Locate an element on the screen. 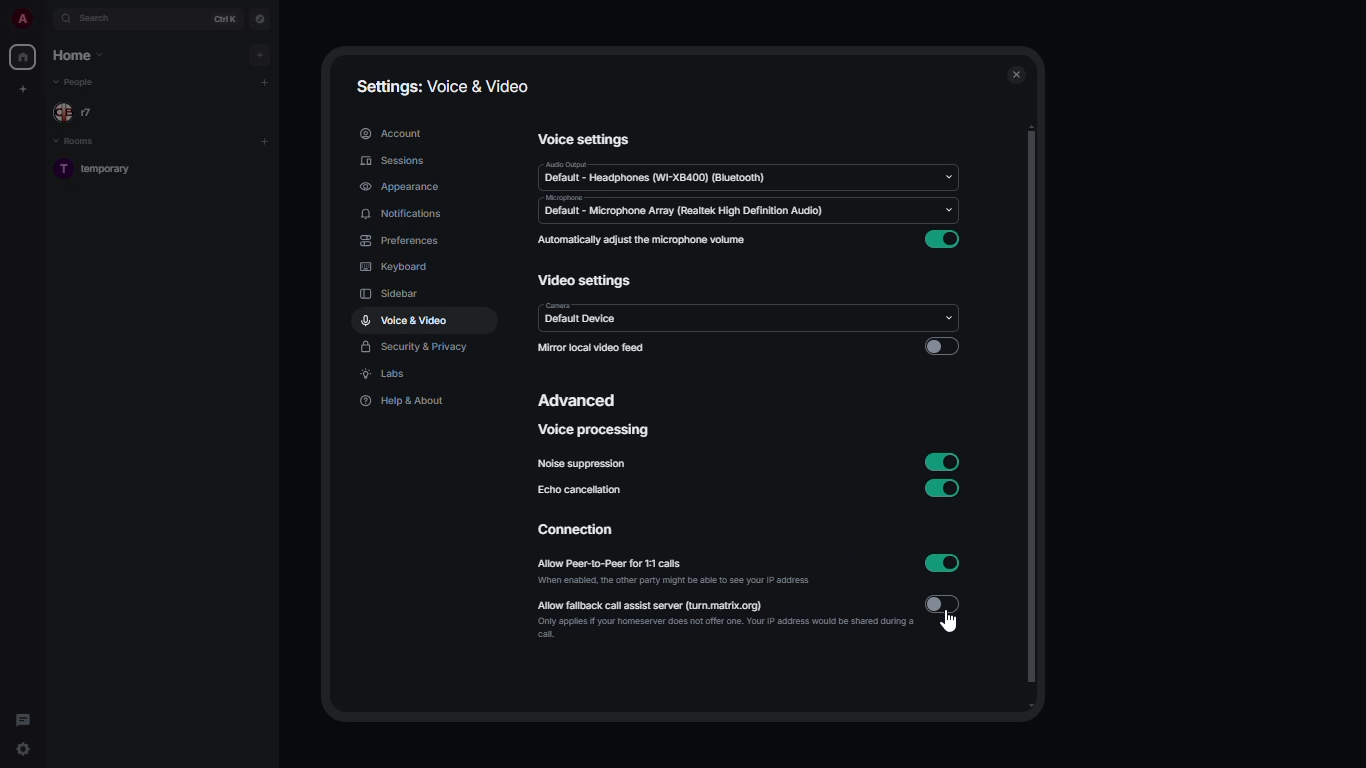  rooms is located at coordinates (83, 140).